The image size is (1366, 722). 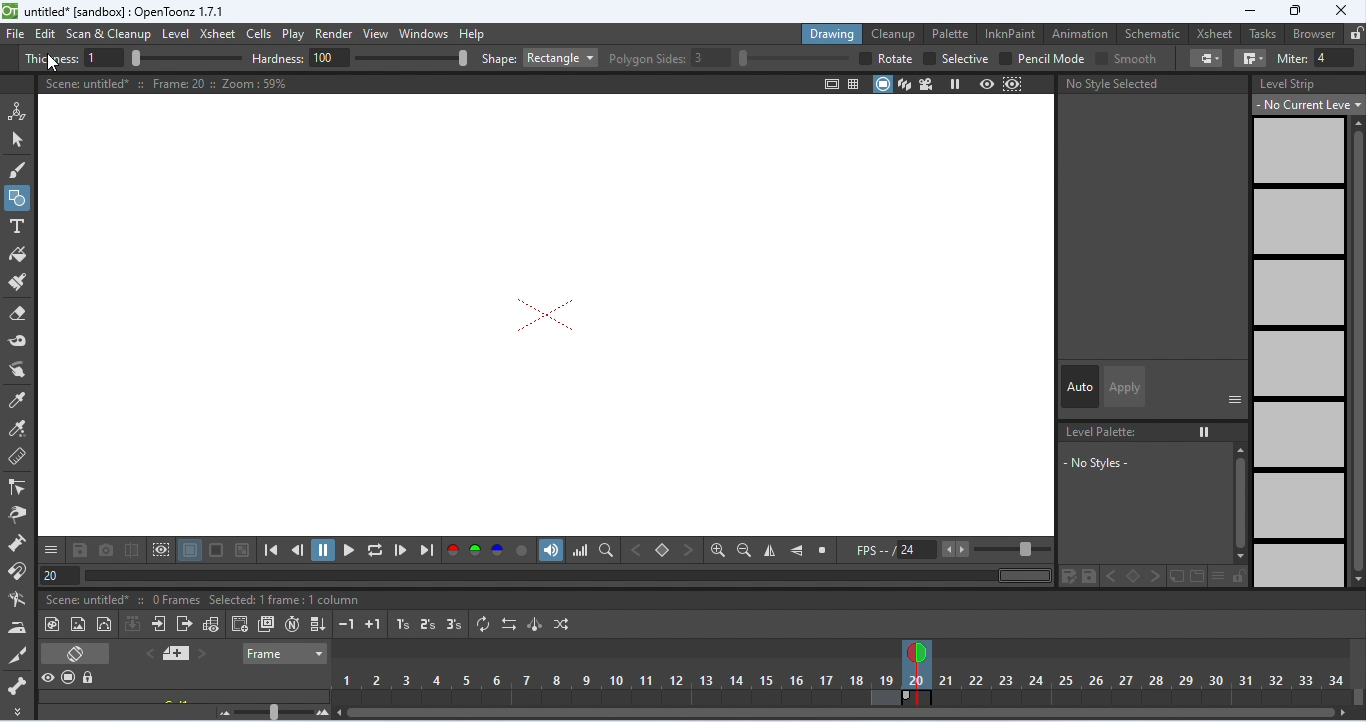 I want to click on lock palette, so click(x=1240, y=577).